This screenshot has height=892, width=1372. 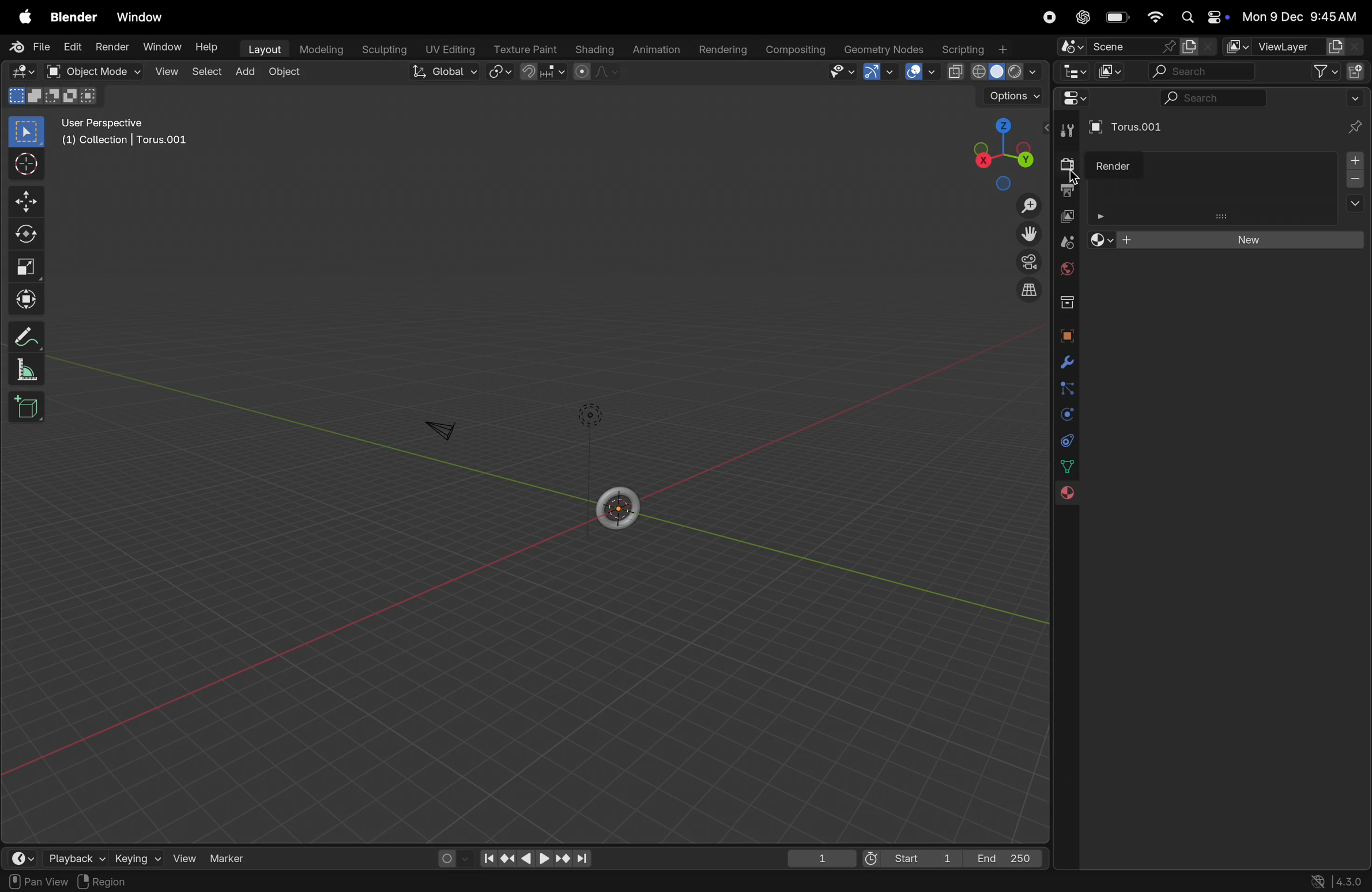 What do you see at coordinates (29, 297) in the screenshot?
I see `Transform` at bounding box center [29, 297].